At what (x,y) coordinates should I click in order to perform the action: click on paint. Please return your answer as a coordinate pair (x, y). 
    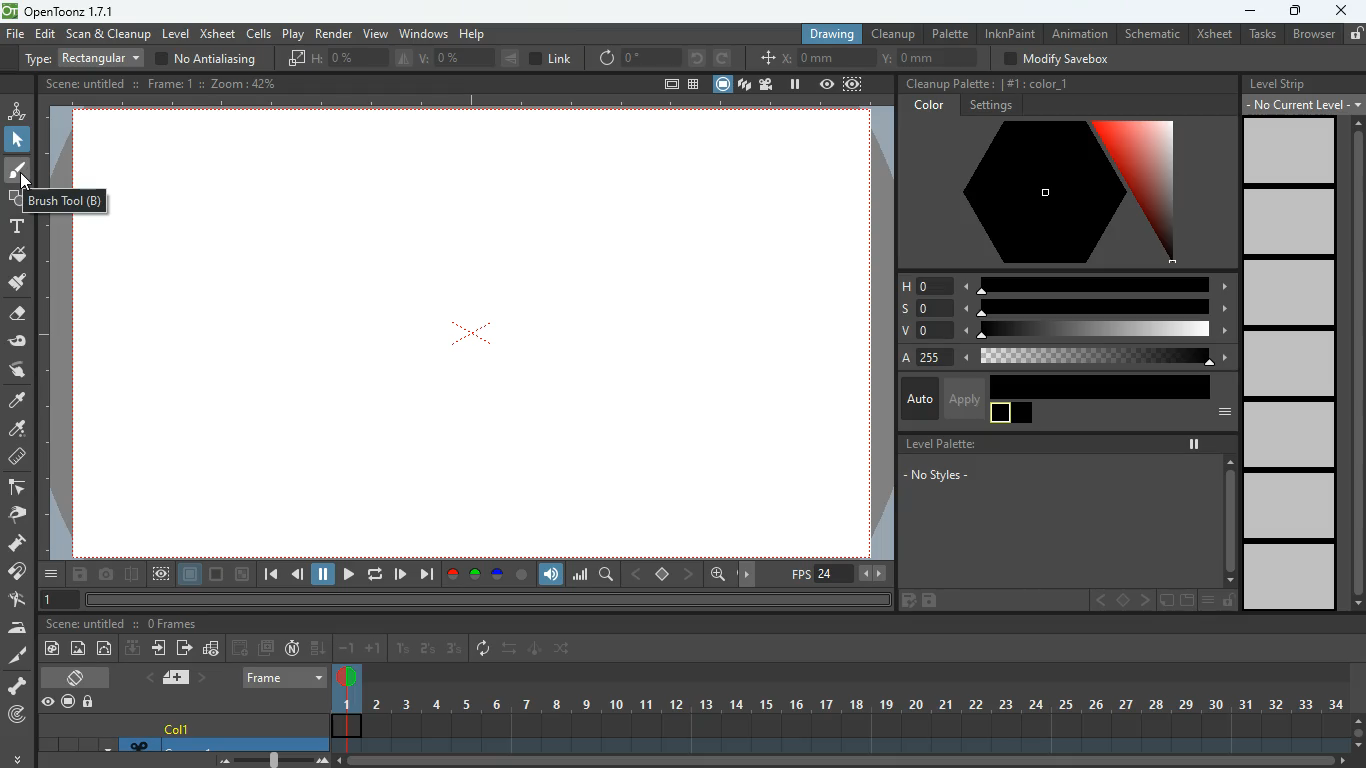
    Looking at the image, I should click on (50, 650).